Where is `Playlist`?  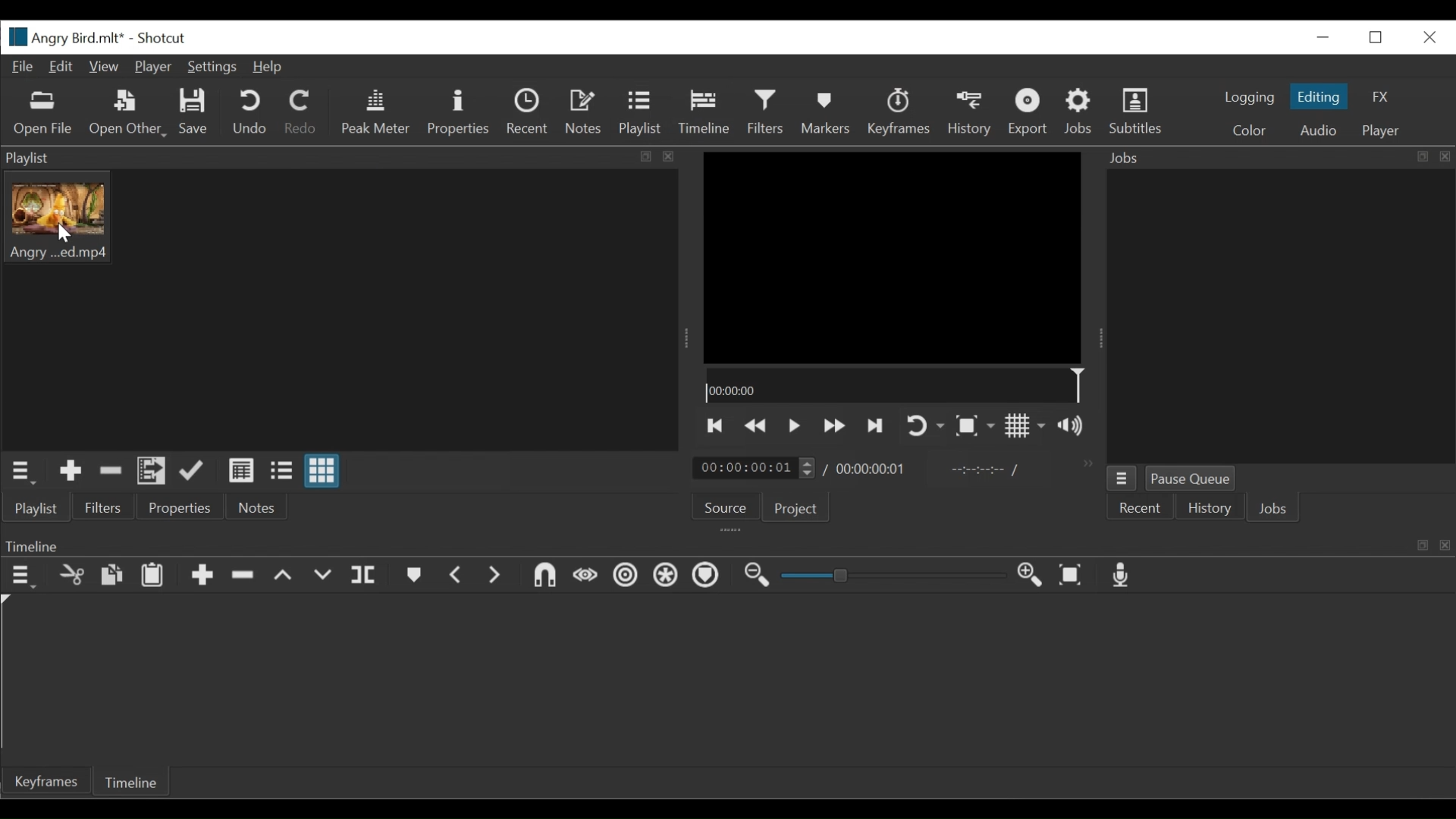
Playlist is located at coordinates (641, 113).